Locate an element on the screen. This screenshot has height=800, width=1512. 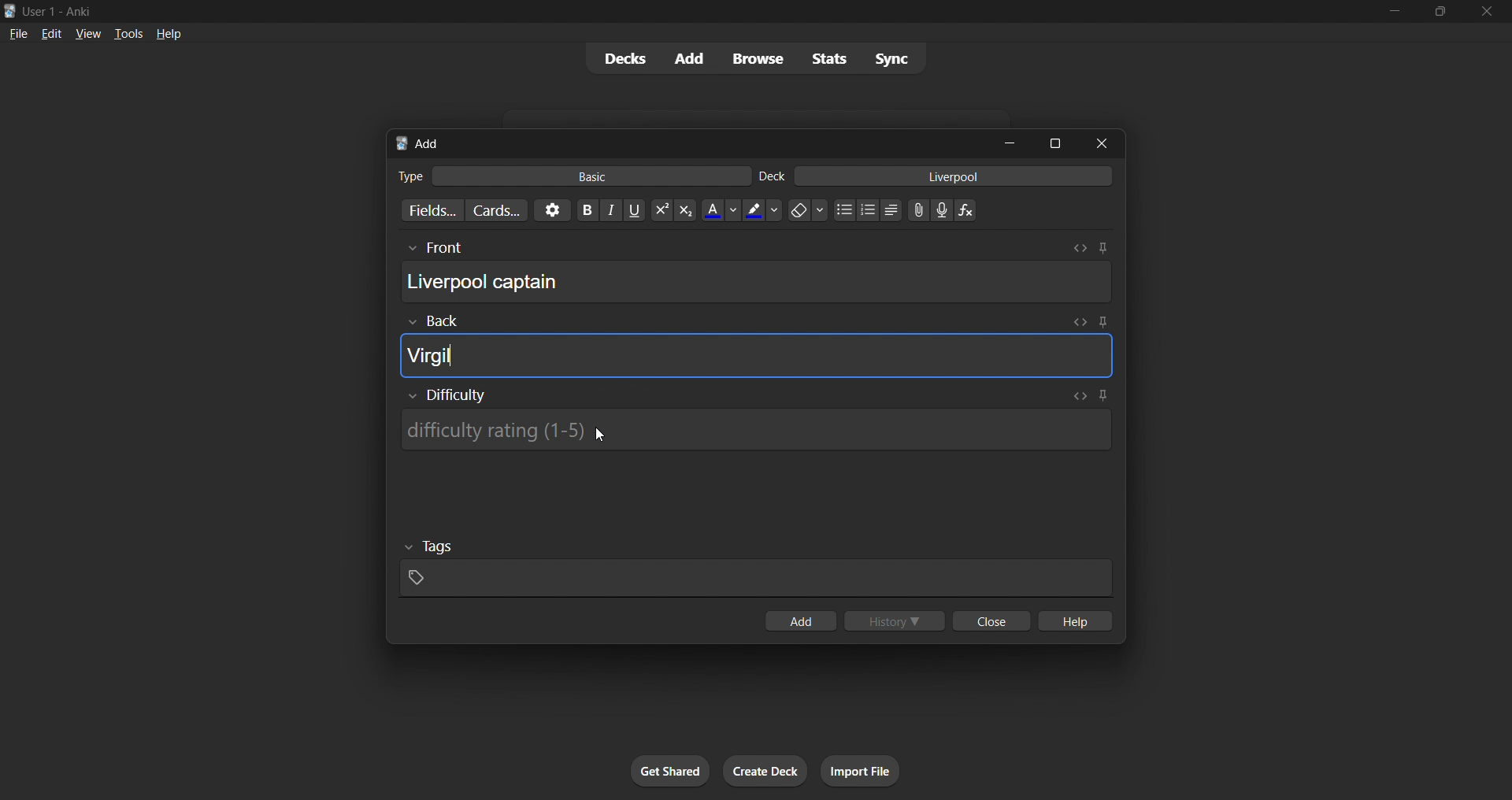
Toggle HTML editor is located at coordinates (1078, 322).